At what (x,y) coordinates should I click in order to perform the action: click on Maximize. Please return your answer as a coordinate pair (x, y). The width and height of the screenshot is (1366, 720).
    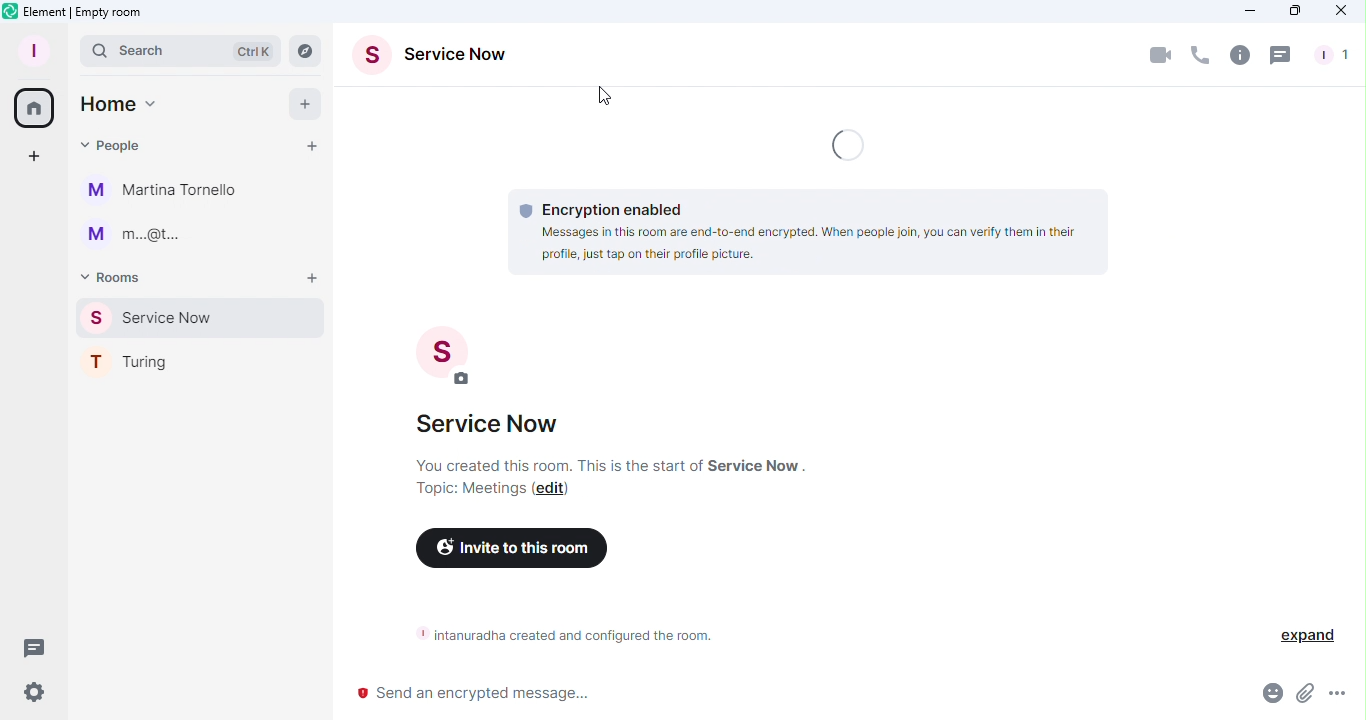
    Looking at the image, I should click on (1293, 11).